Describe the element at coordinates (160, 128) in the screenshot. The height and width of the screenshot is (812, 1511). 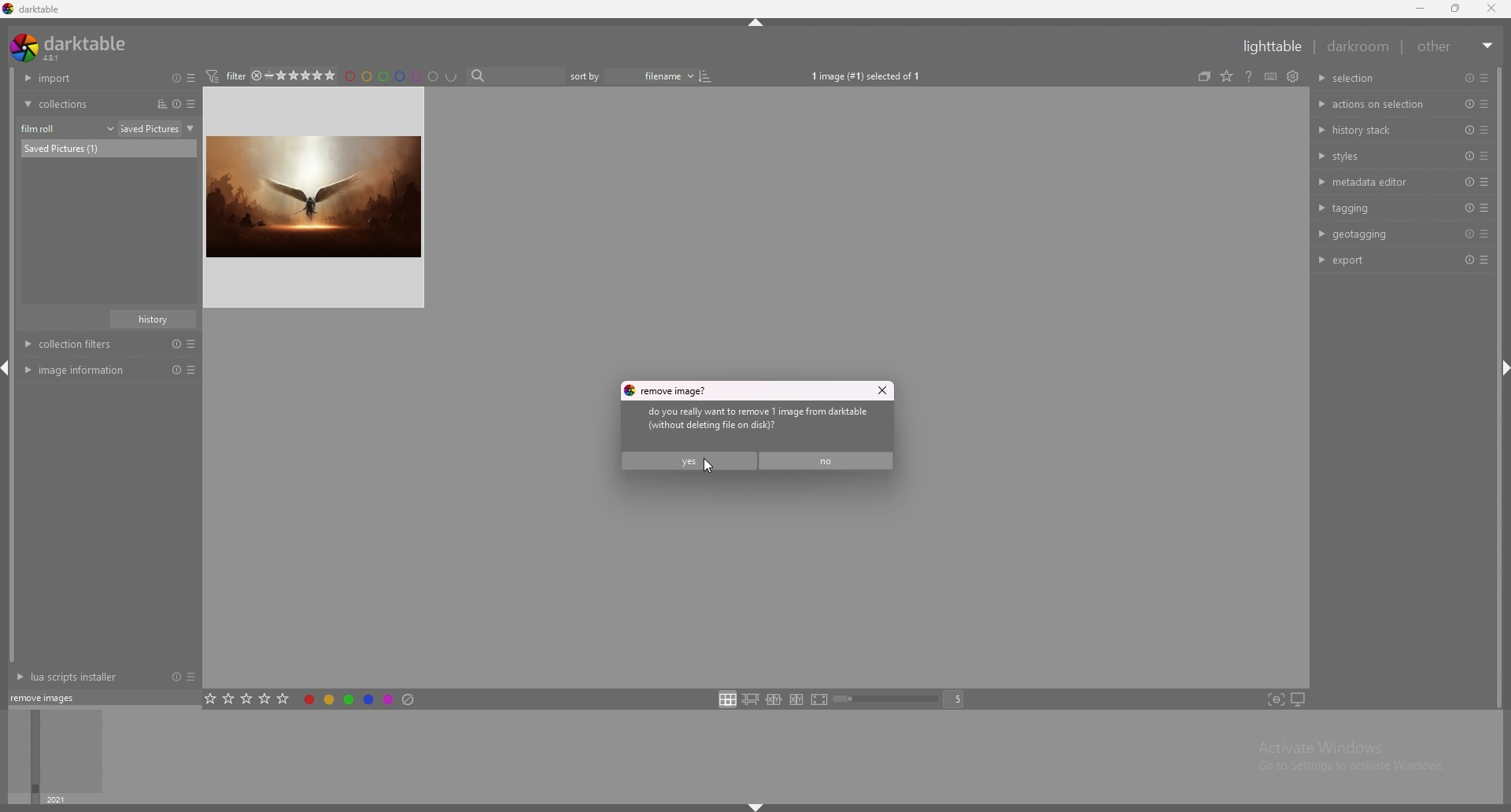
I see `folder name` at that location.